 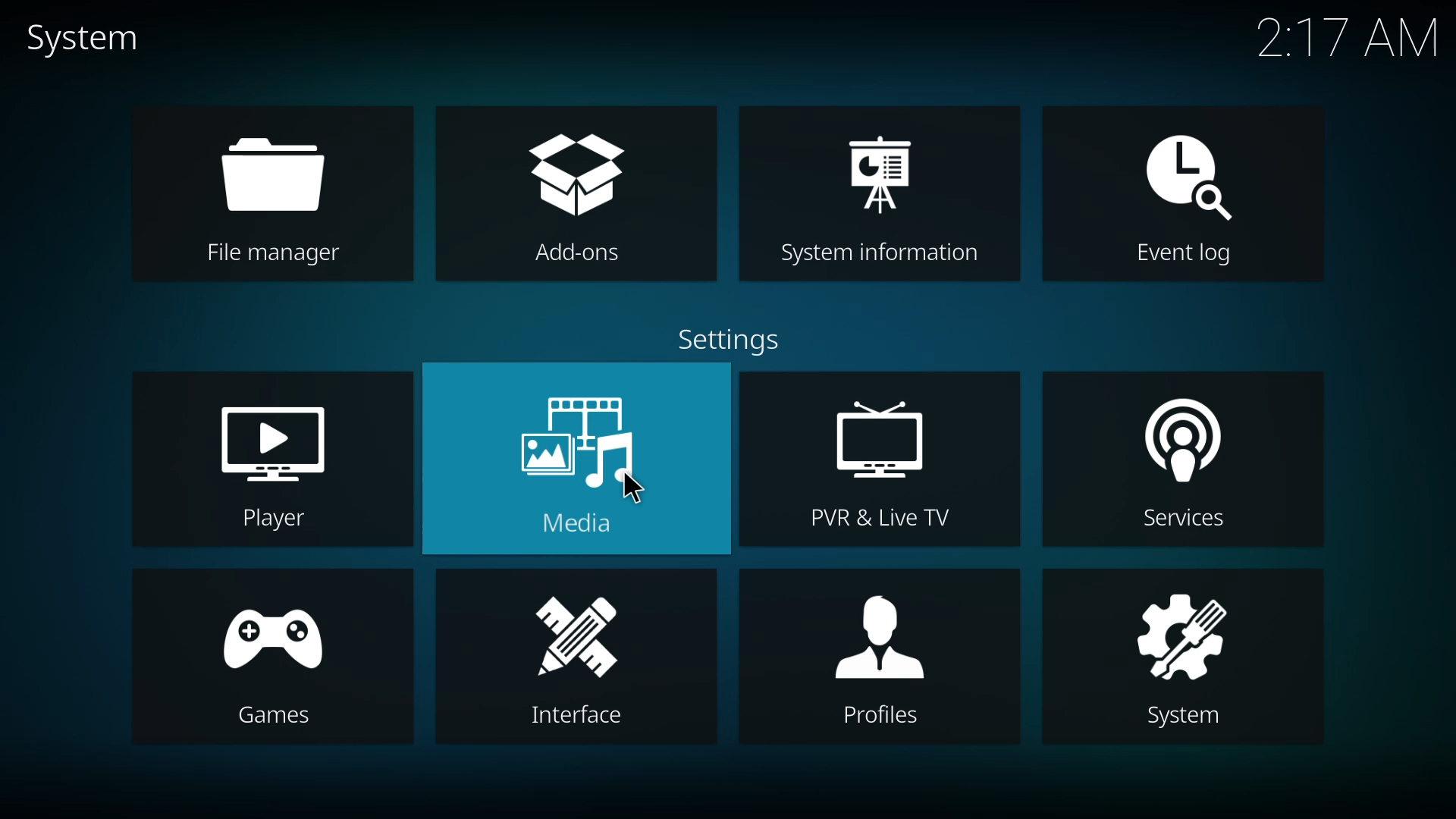 I want to click on system information, so click(x=880, y=196).